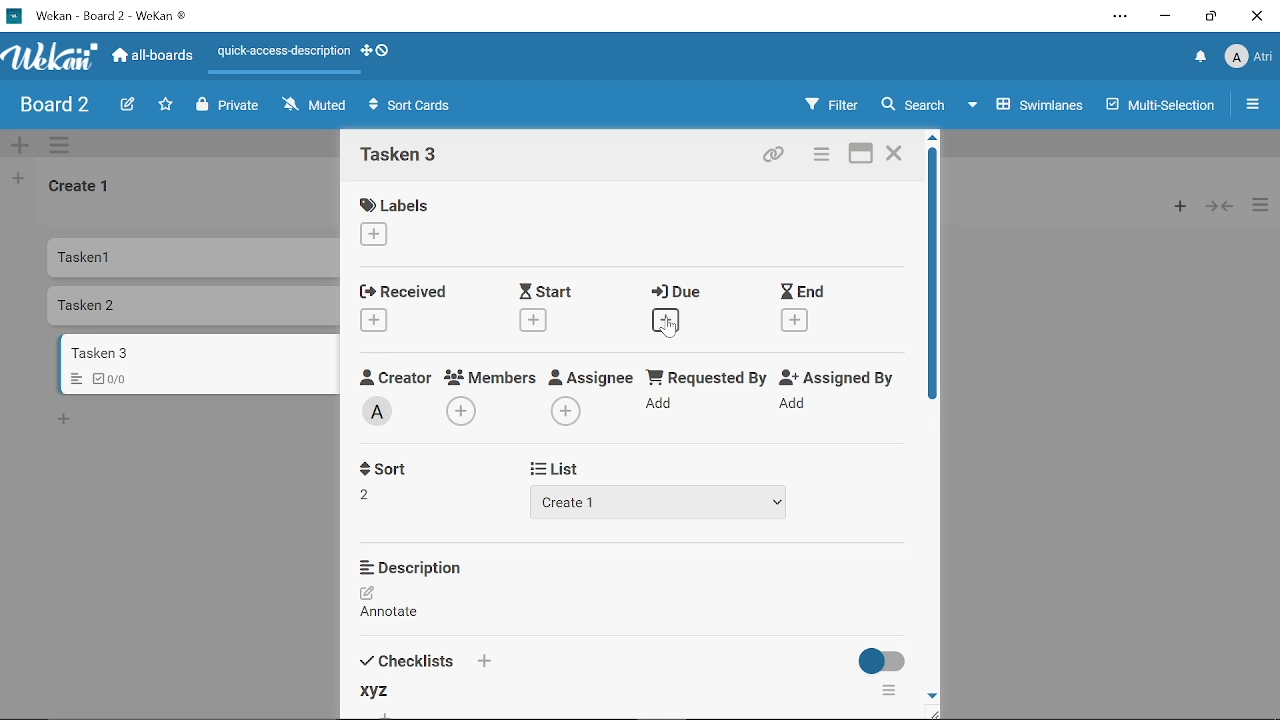  What do you see at coordinates (1248, 58) in the screenshot?
I see `Profile name` at bounding box center [1248, 58].